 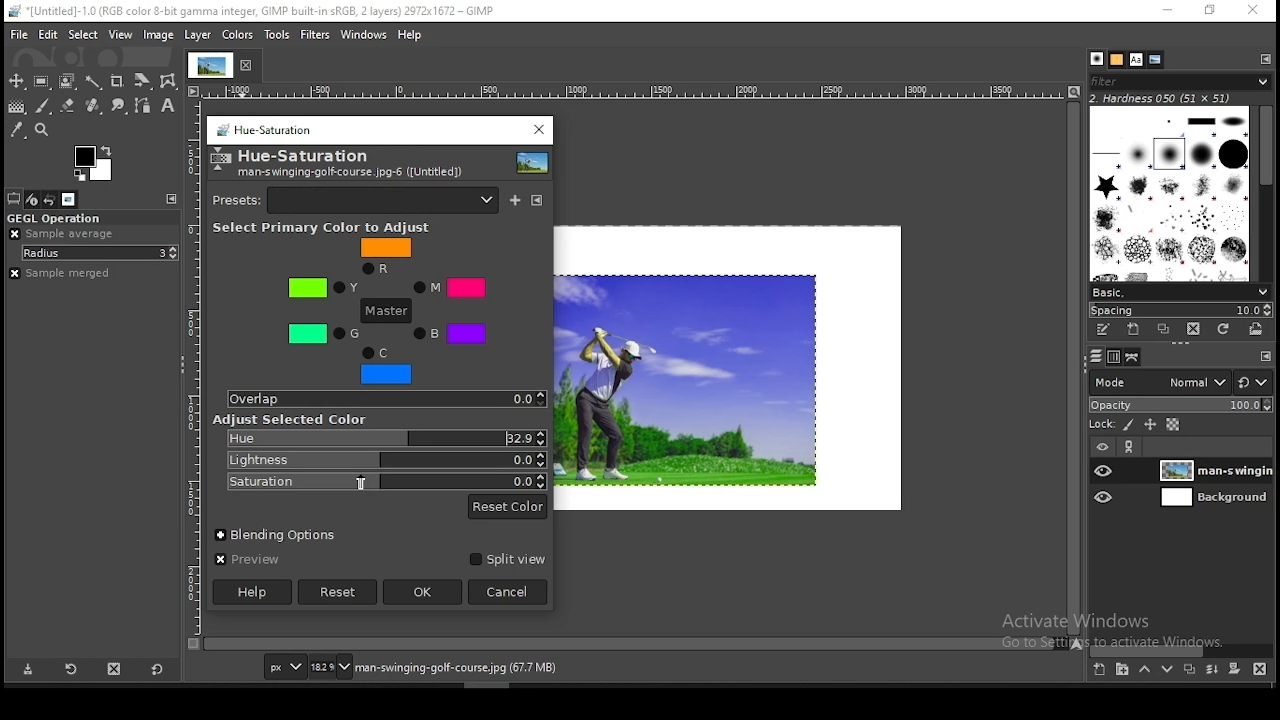 I want to click on paths, so click(x=1136, y=358).